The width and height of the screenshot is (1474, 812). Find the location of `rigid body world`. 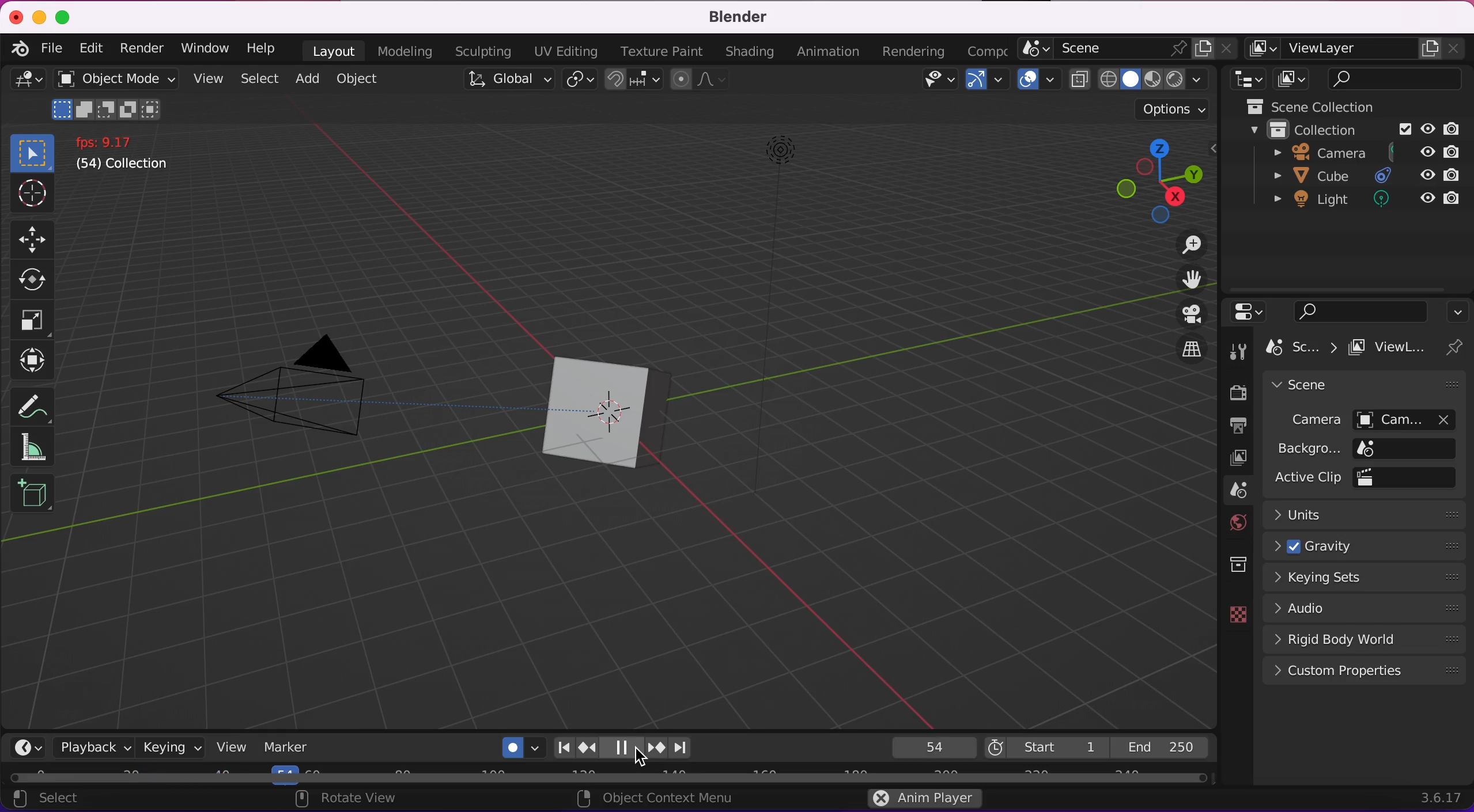

rigid body world is located at coordinates (1367, 638).